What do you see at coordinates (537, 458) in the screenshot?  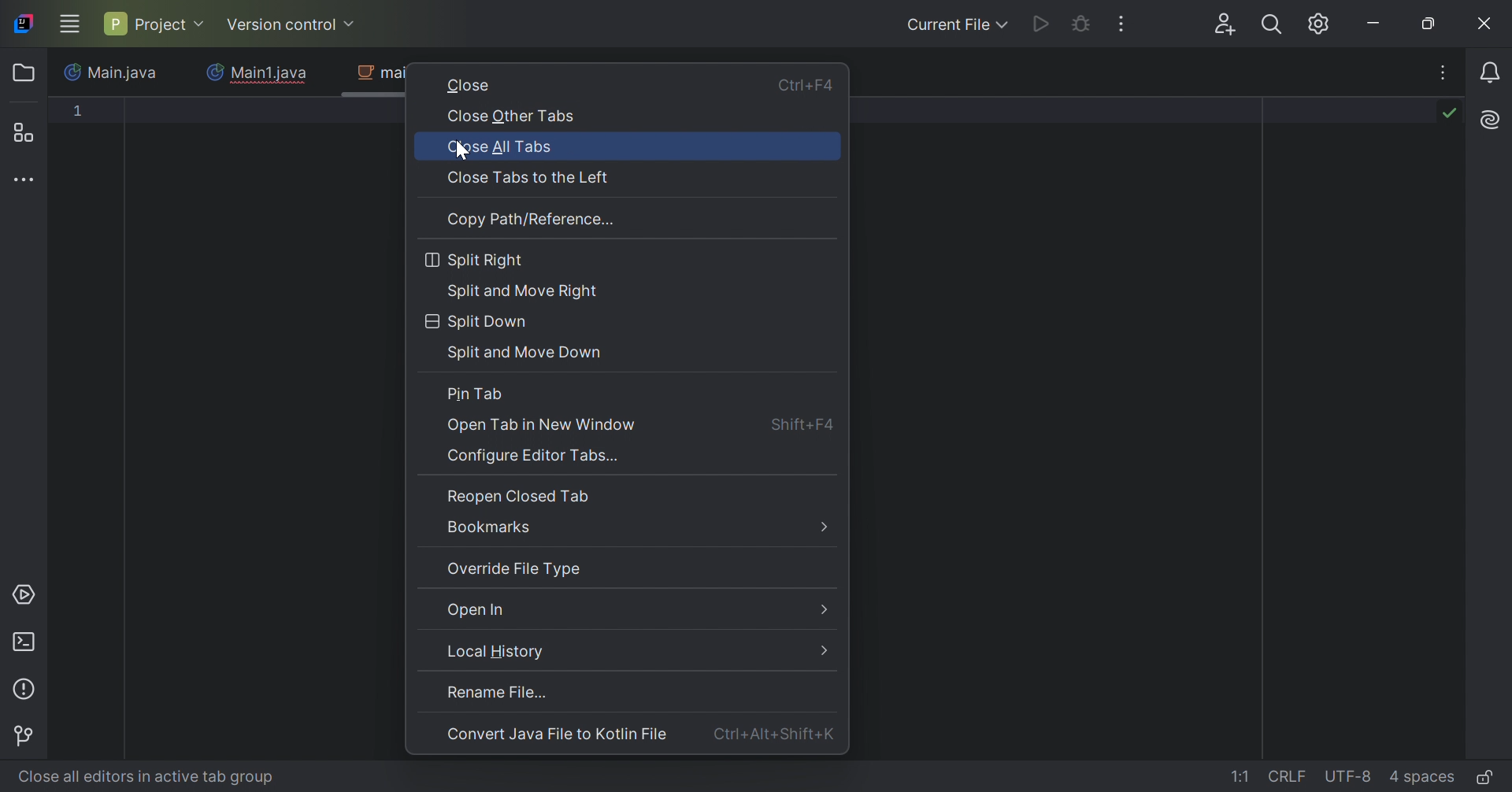 I see `Configure Editor Tabs` at bounding box center [537, 458].